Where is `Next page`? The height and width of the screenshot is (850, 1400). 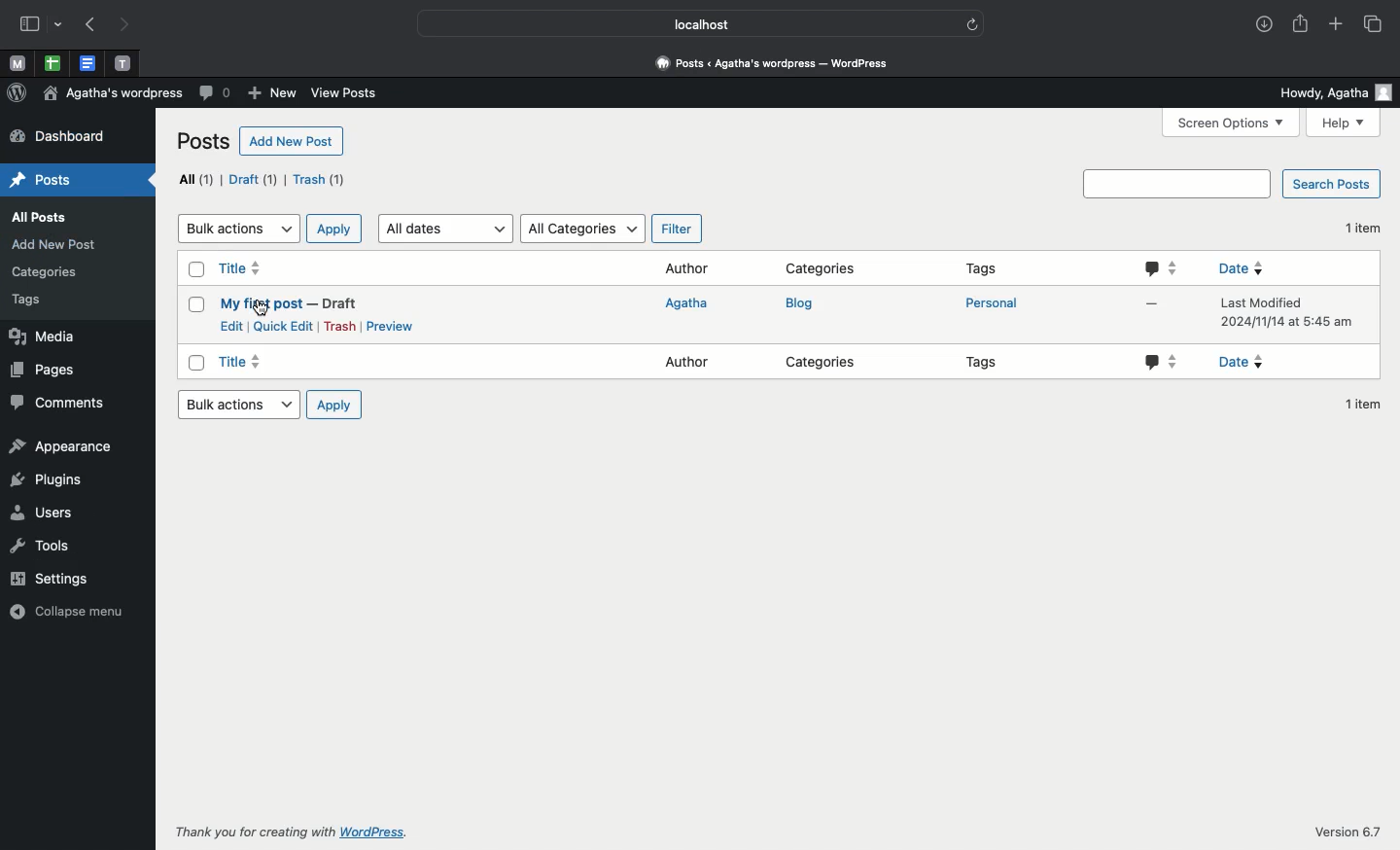 Next page is located at coordinates (130, 25).